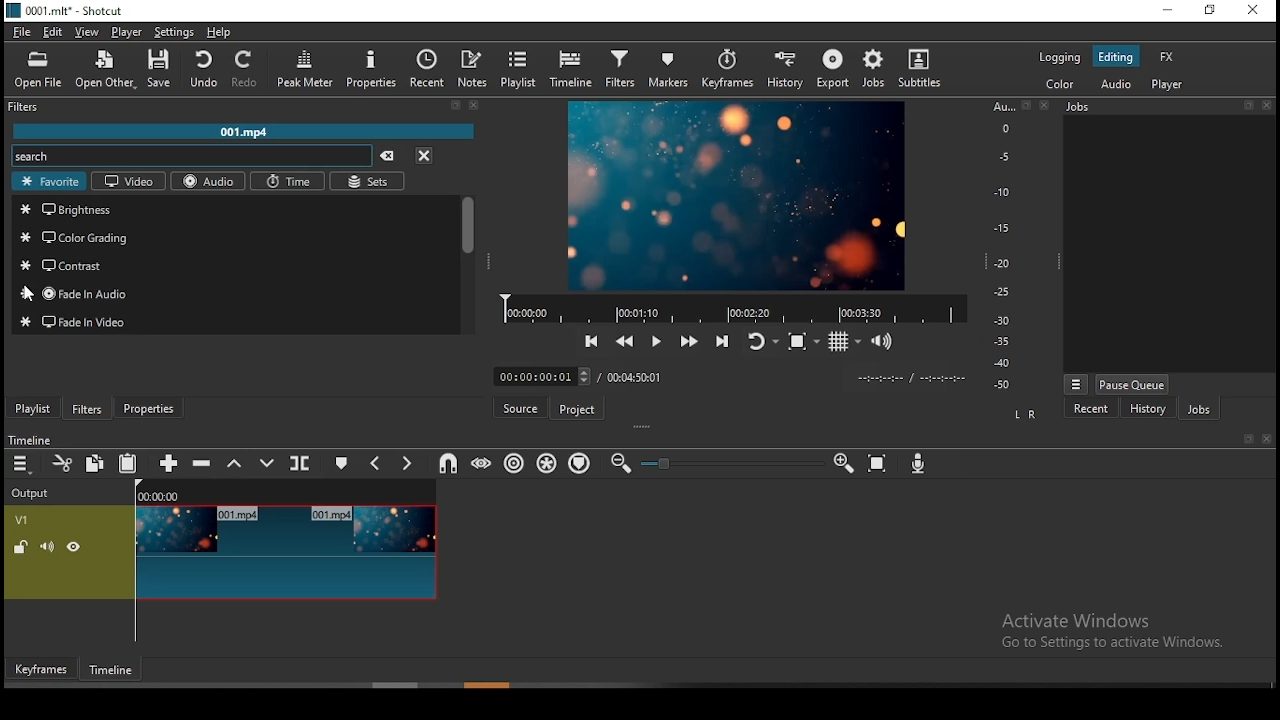 The height and width of the screenshot is (720, 1280). What do you see at coordinates (1170, 108) in the screenshot?
I see `Jobs` at bounding box center [1170, 108].